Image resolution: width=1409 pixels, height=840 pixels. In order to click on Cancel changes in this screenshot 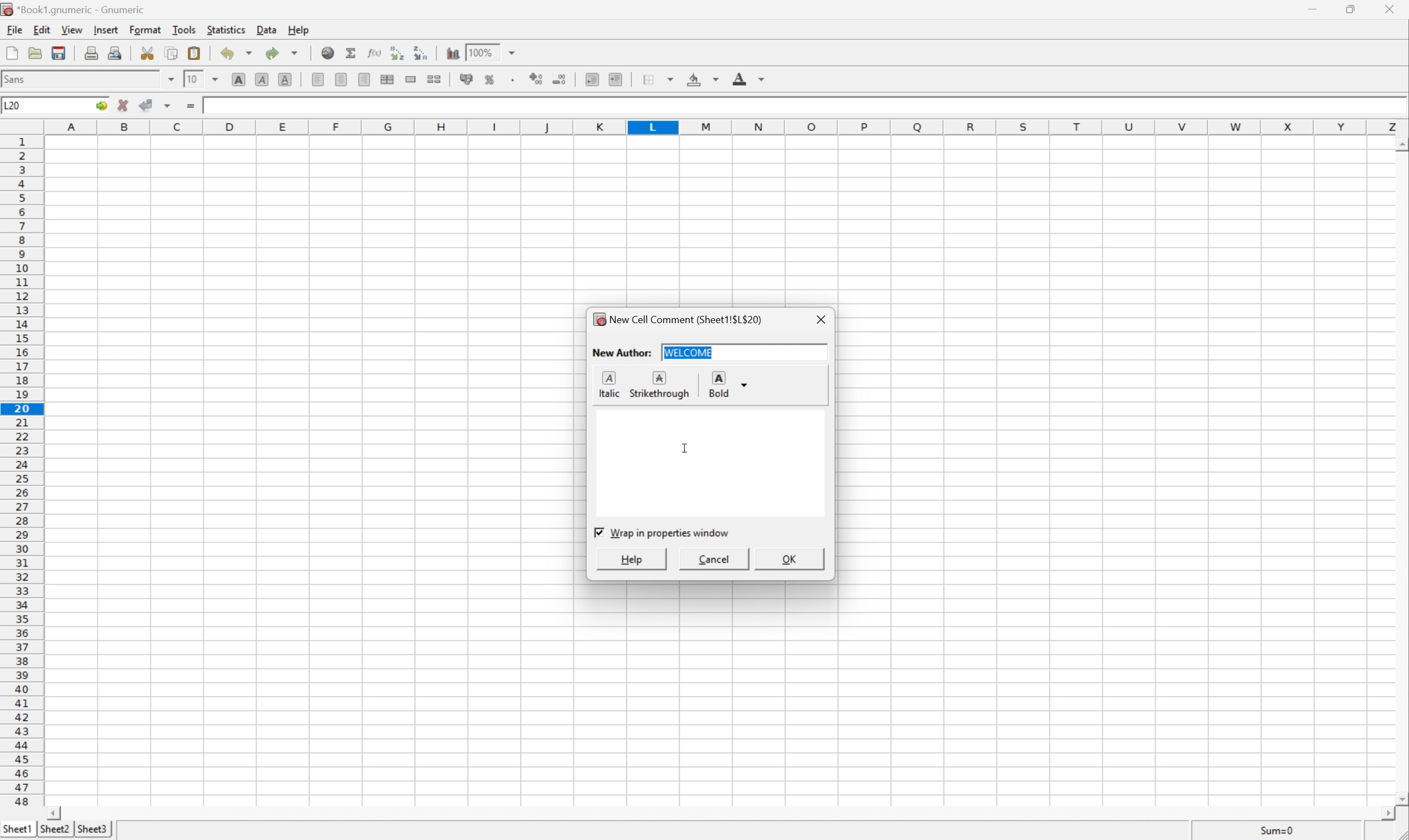, I will do `click(124, 106)`.